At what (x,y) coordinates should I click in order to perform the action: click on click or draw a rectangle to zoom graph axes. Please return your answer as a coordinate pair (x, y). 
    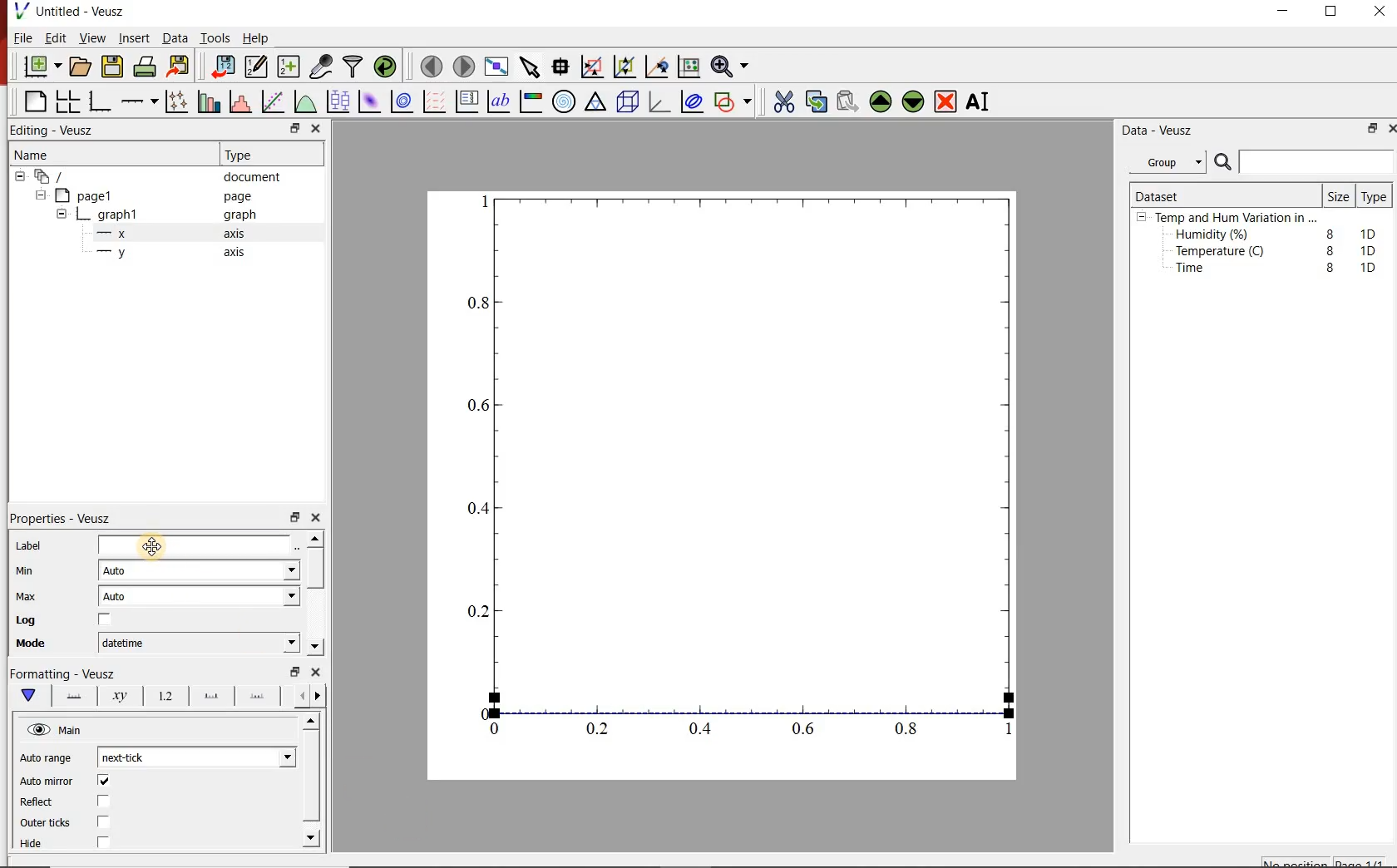
    Looking at the image, I should click on (595, 67).